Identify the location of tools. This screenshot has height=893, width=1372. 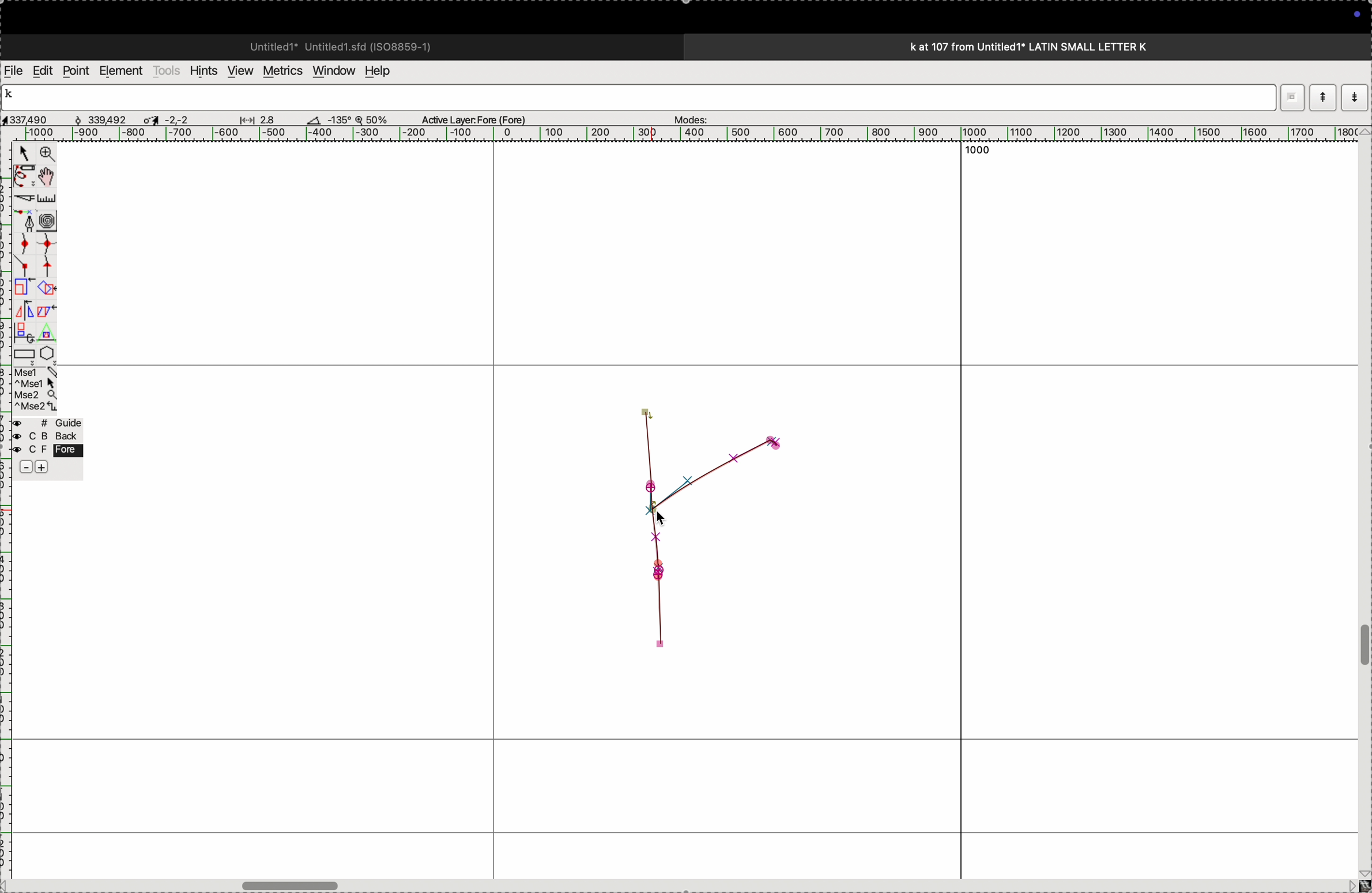
(167, 70).